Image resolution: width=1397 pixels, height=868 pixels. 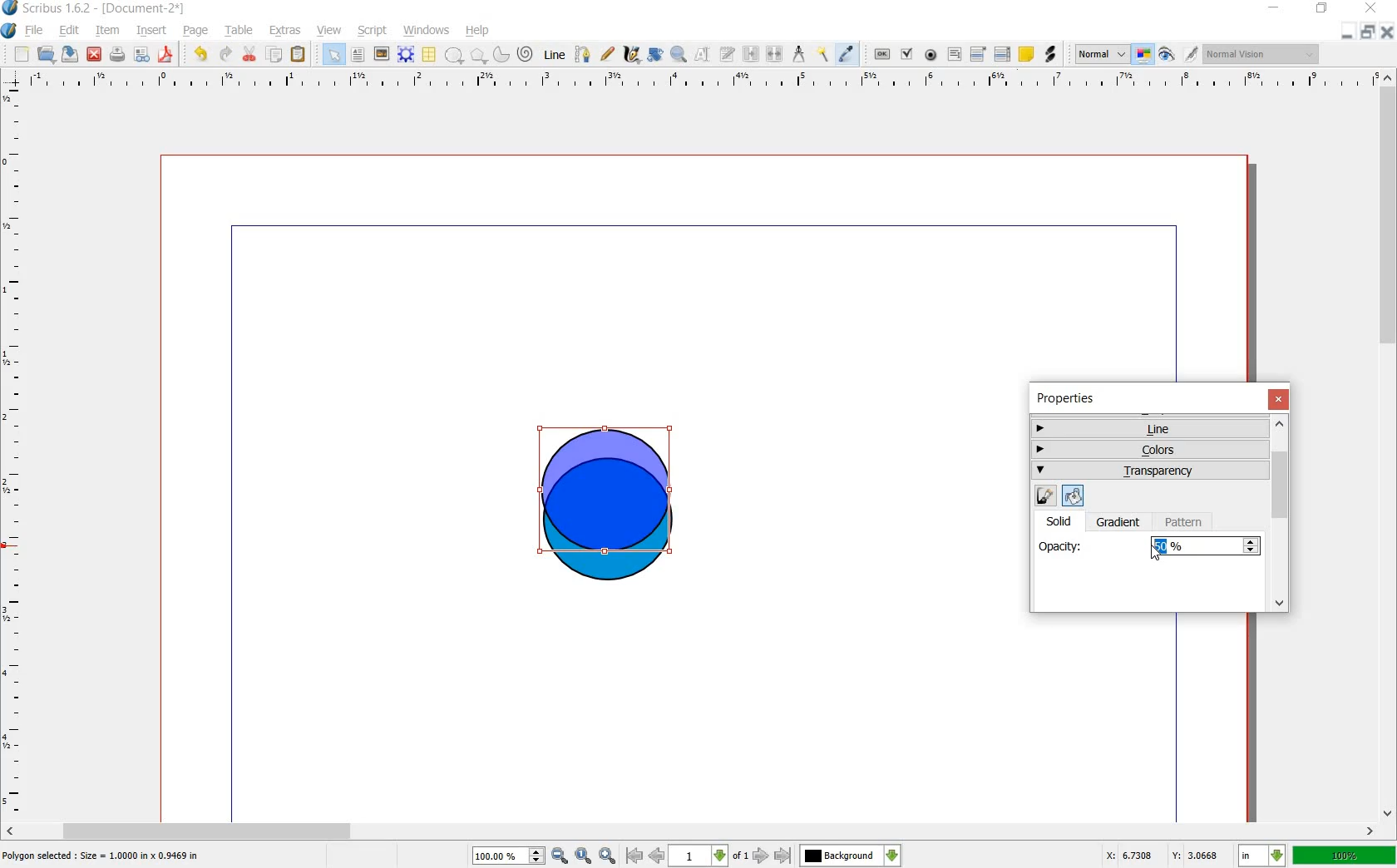 I want to click on close, so click(x=1281, y=399).